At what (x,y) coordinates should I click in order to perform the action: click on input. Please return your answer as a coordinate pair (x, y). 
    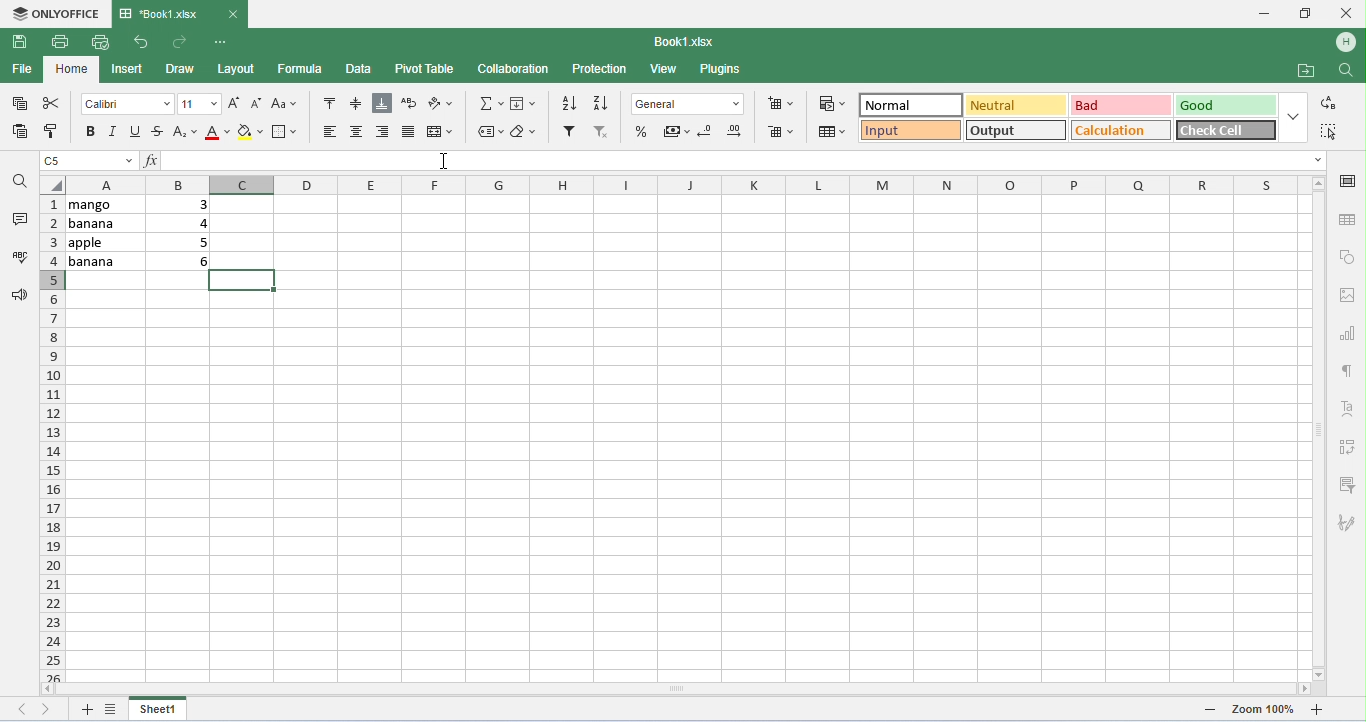
    Looking at the image, I should click on (910, 131).